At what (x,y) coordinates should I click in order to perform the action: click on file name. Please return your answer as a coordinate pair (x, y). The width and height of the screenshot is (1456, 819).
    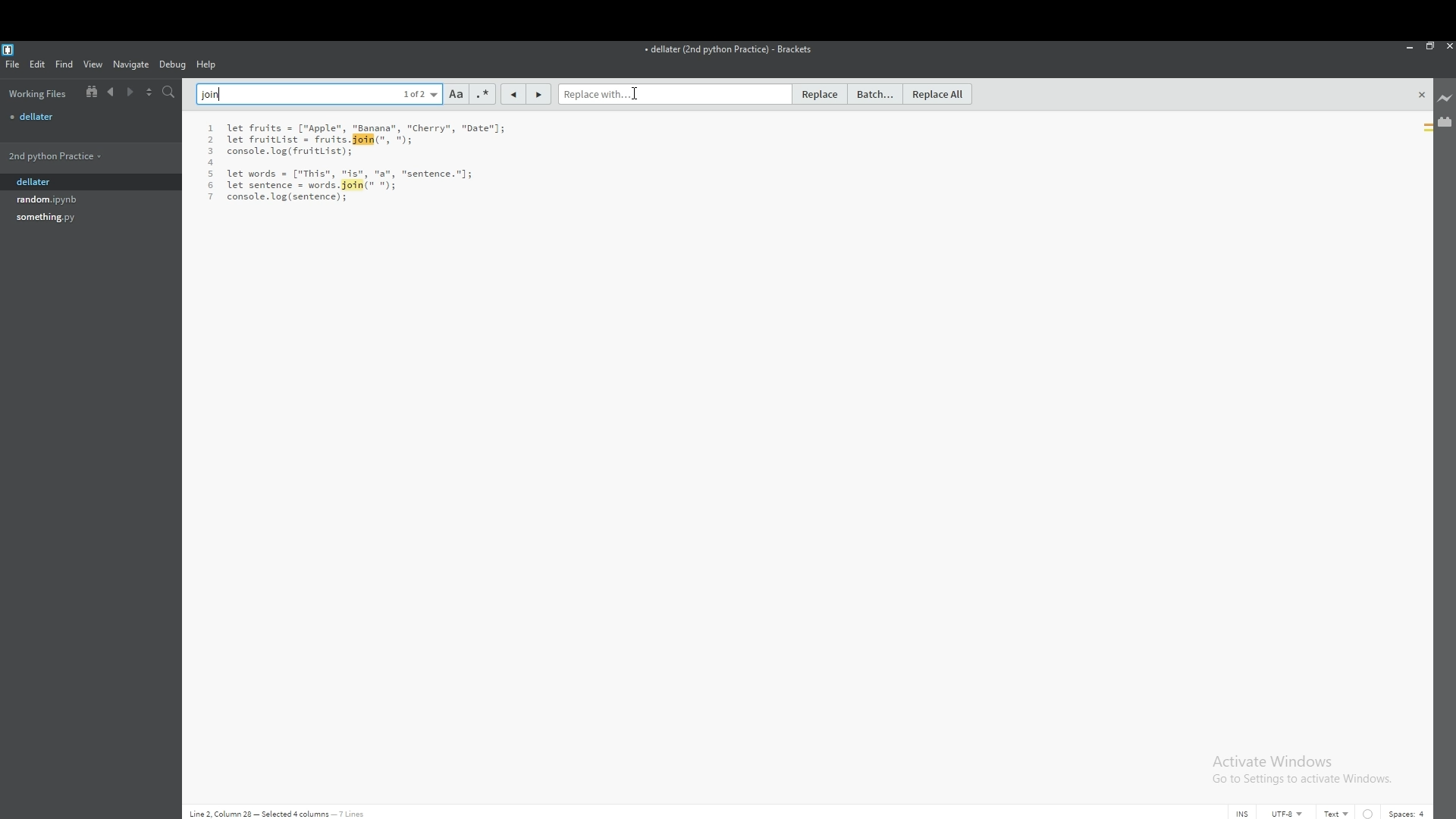
    Looking at the image, I should click on (728, 51).